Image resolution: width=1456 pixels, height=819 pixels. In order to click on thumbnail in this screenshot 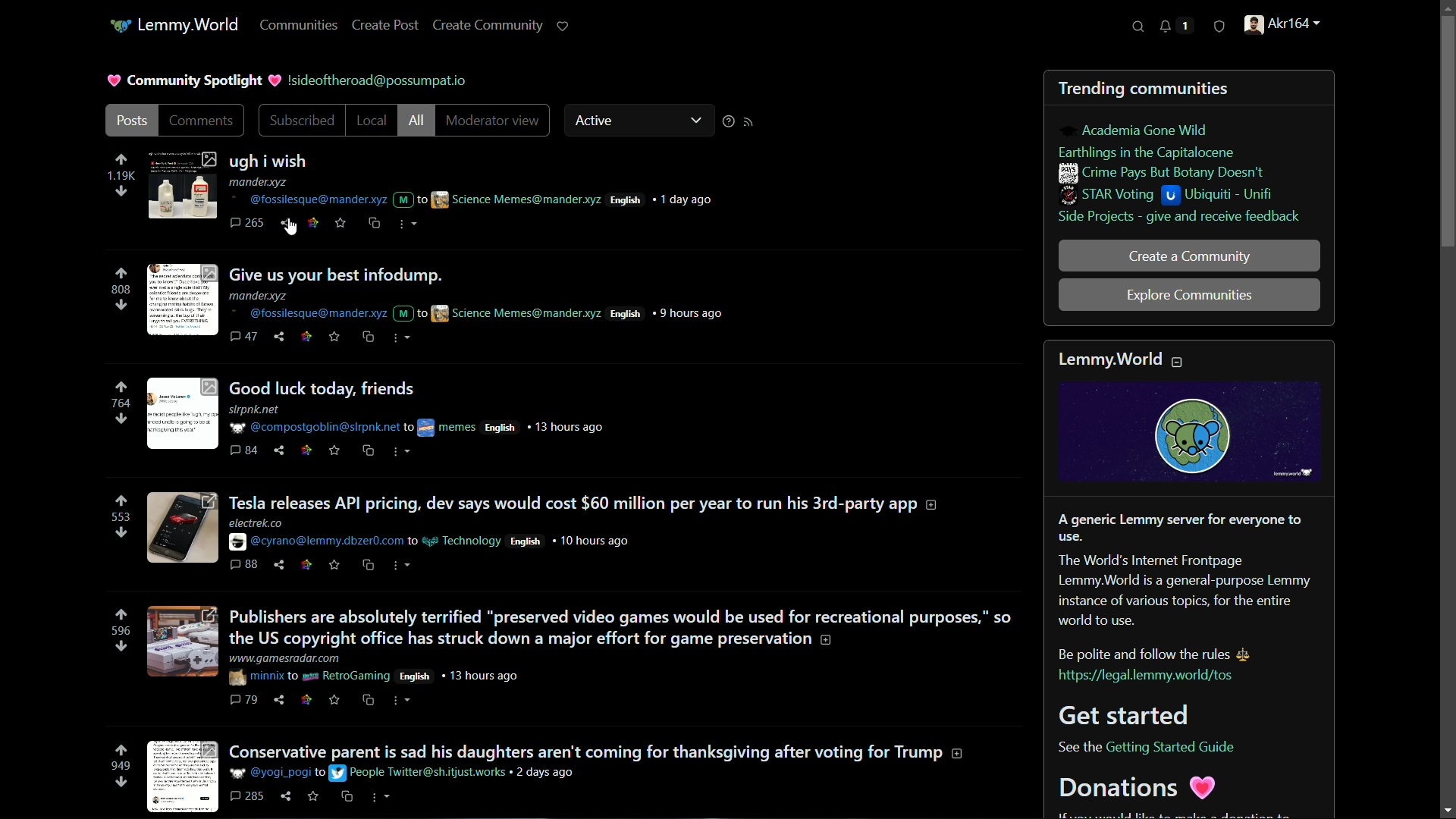, I will do `click(180, 643)`.